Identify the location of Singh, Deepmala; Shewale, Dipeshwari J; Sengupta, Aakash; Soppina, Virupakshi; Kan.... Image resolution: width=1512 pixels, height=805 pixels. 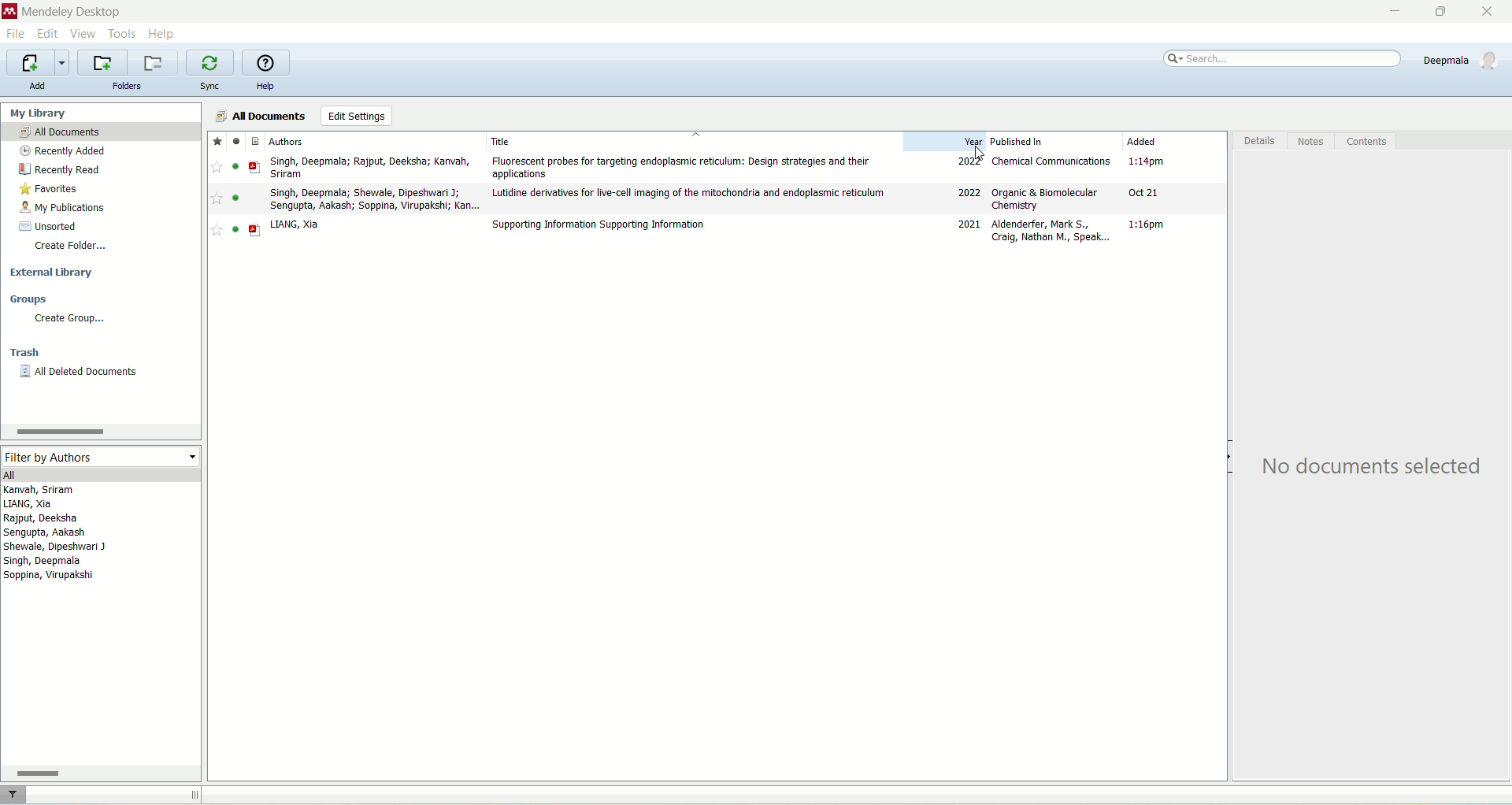
(375, 198).